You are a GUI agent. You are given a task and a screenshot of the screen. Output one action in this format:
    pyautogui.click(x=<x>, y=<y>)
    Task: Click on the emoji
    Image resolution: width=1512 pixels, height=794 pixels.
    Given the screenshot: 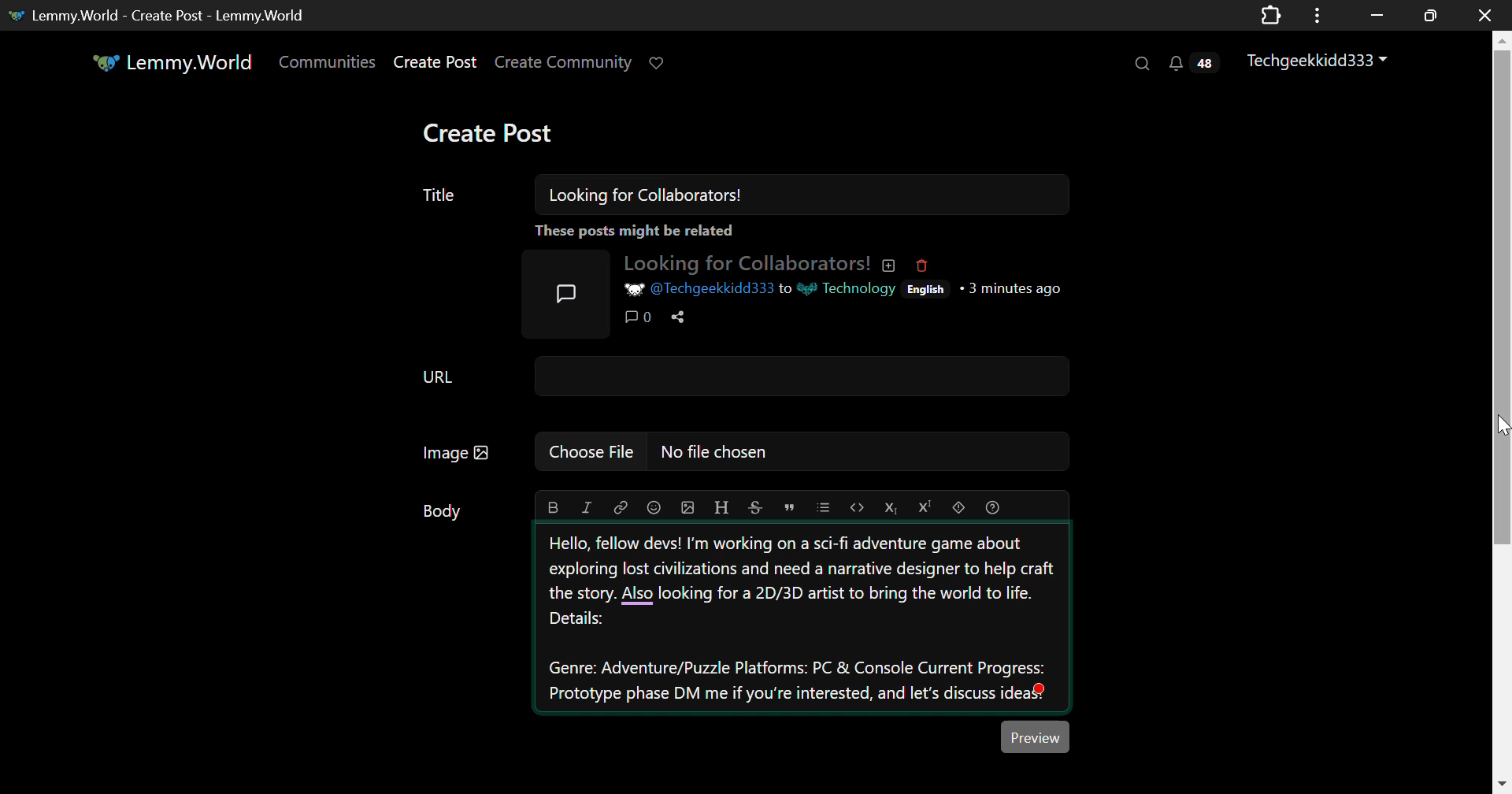 What is the action you would take?
    pyautogui.click(x=654, y=507)
    